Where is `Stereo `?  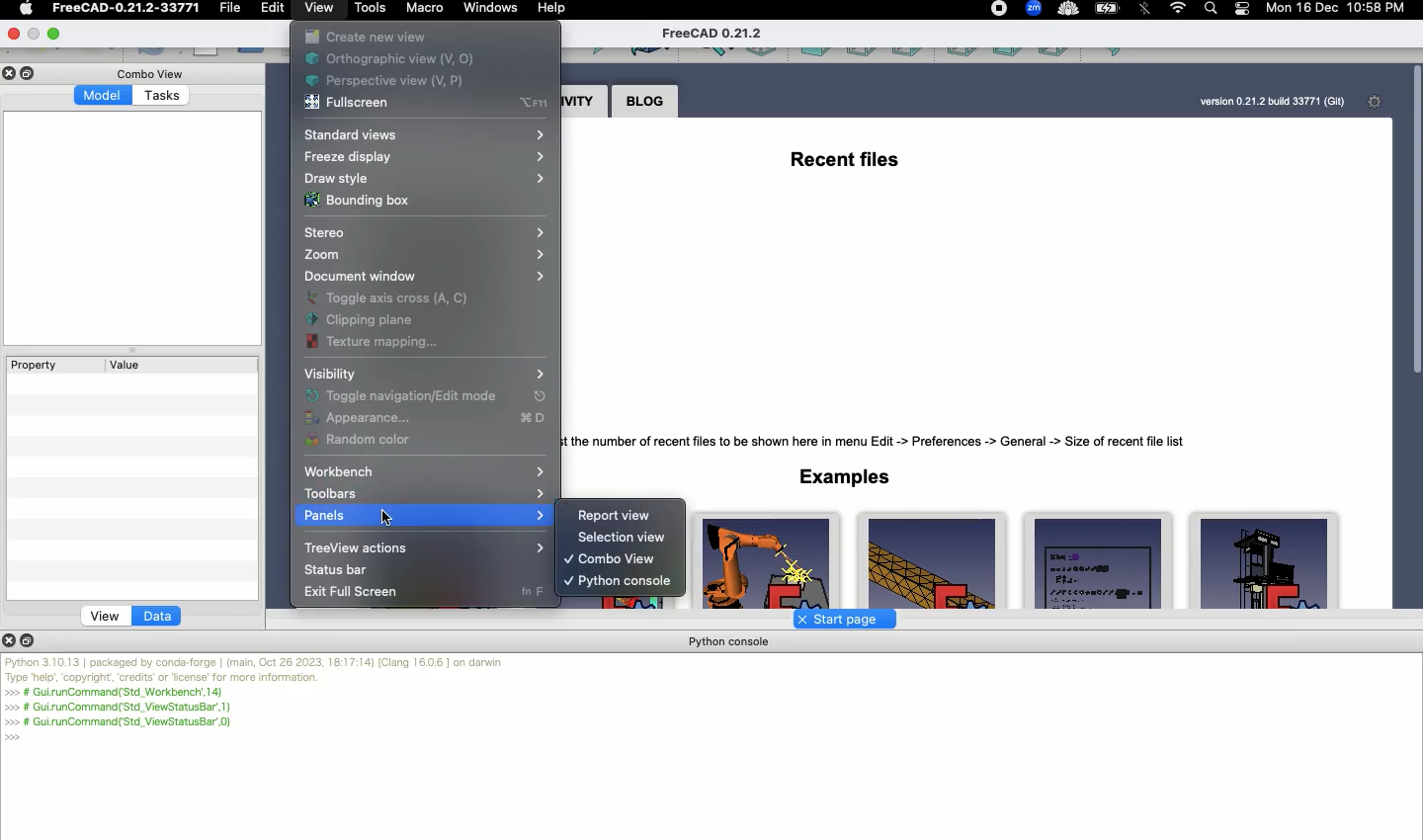 Stereo  is located at coordinates (430, 234).